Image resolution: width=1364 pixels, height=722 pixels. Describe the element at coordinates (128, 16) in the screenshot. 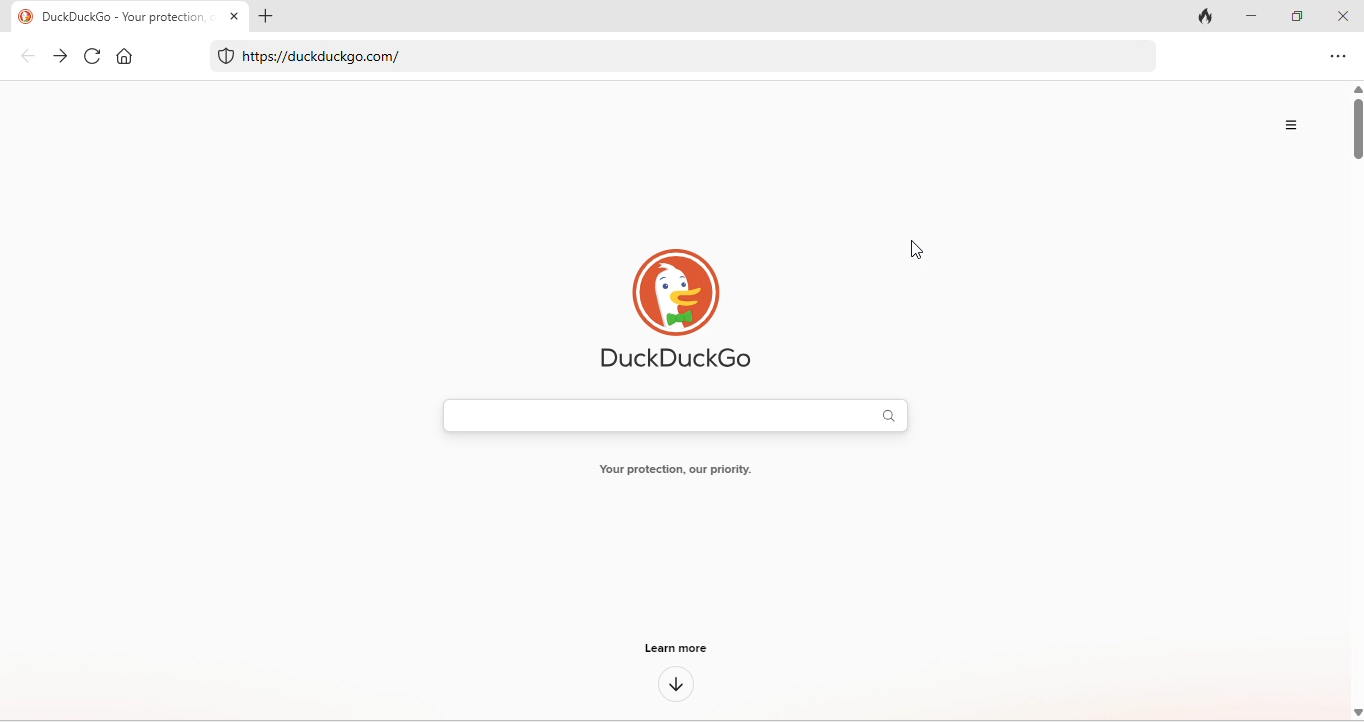

I see `DuckduckGo - You protection` at that location.